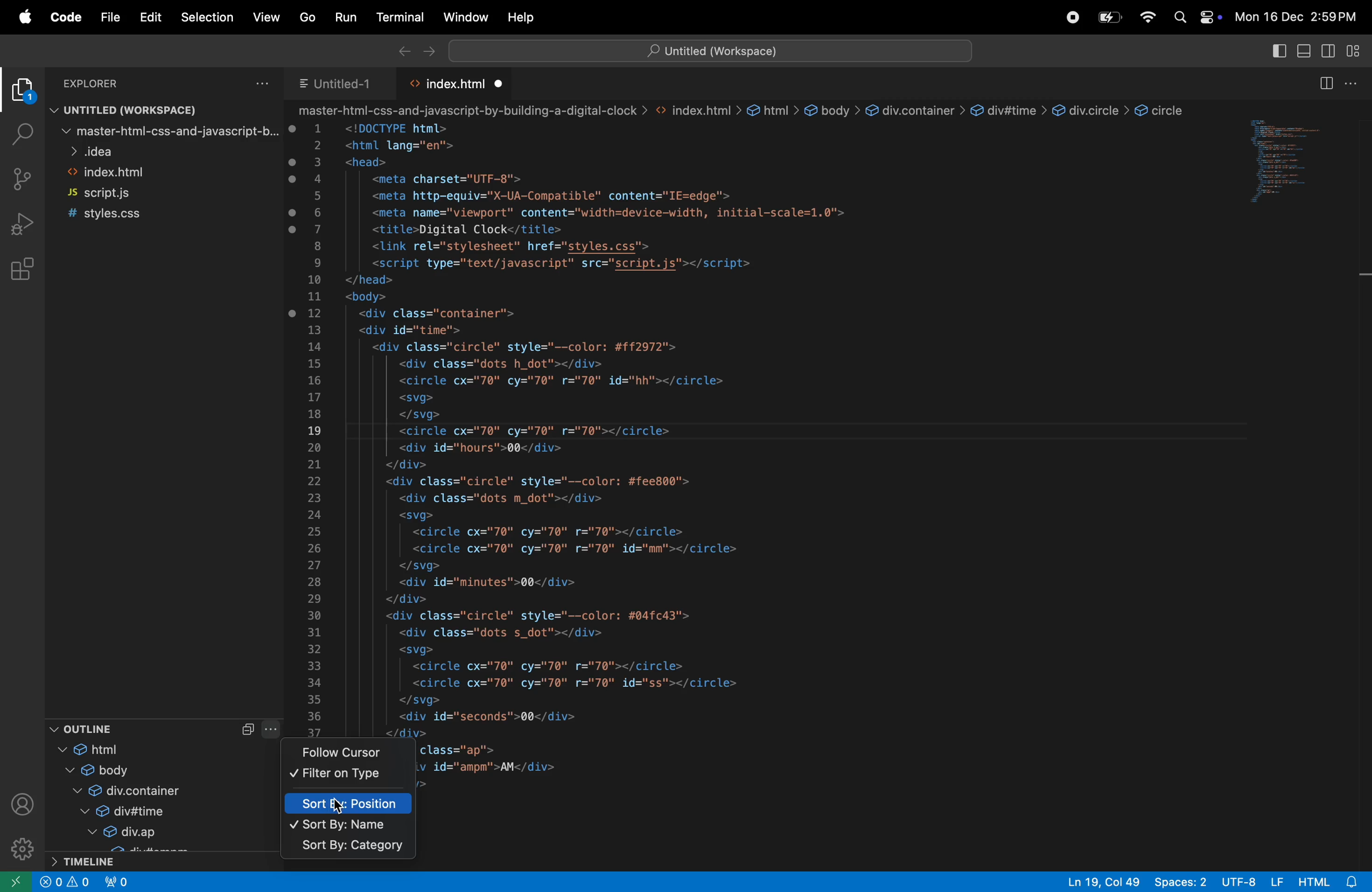 The width and height of the screenshot is (1372, 892). Describe the element at coordinates (455, 84) in the screenshot. I see `index.html` at that location.